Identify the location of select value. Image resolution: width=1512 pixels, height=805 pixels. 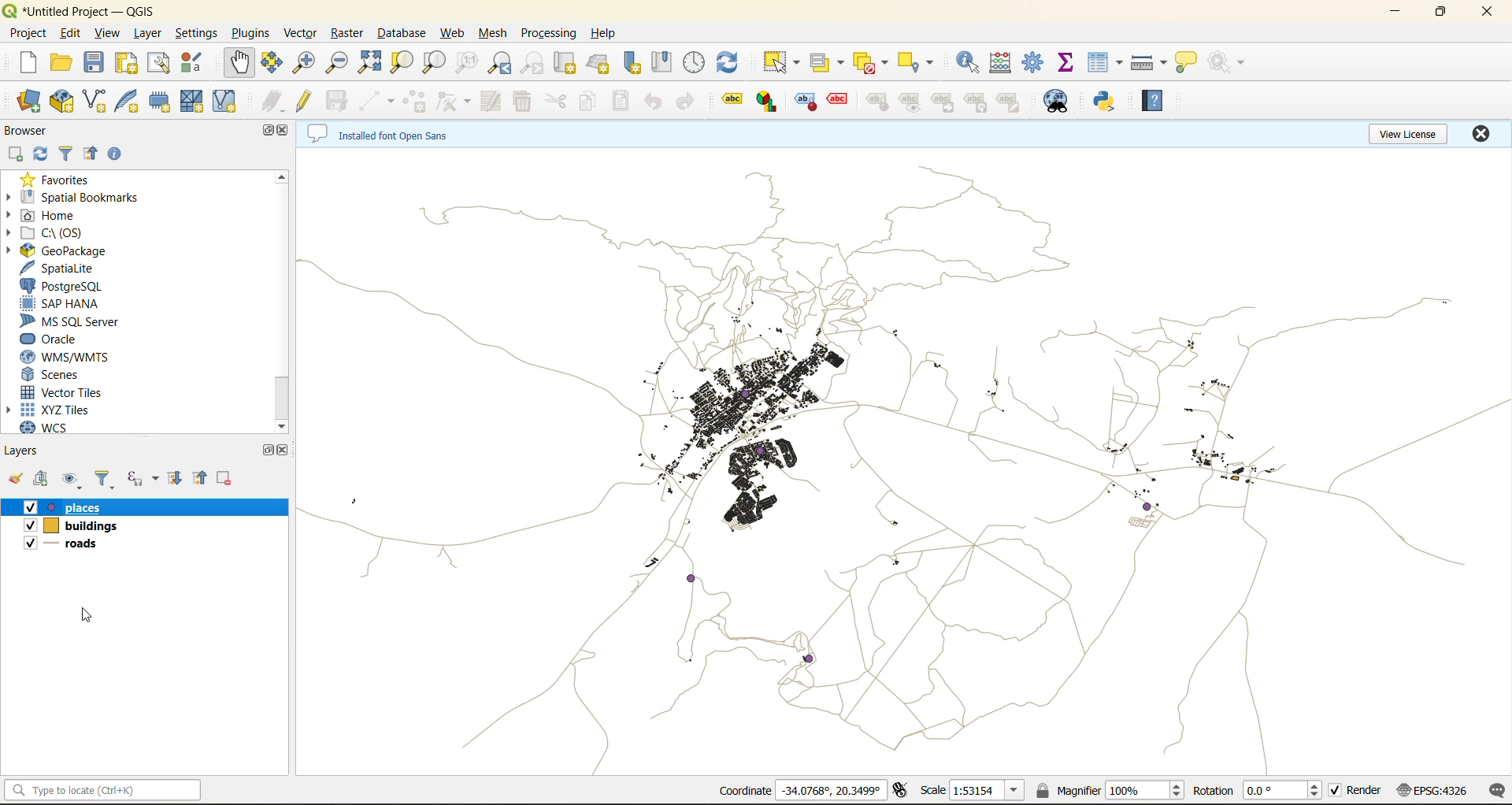
(830, 65).